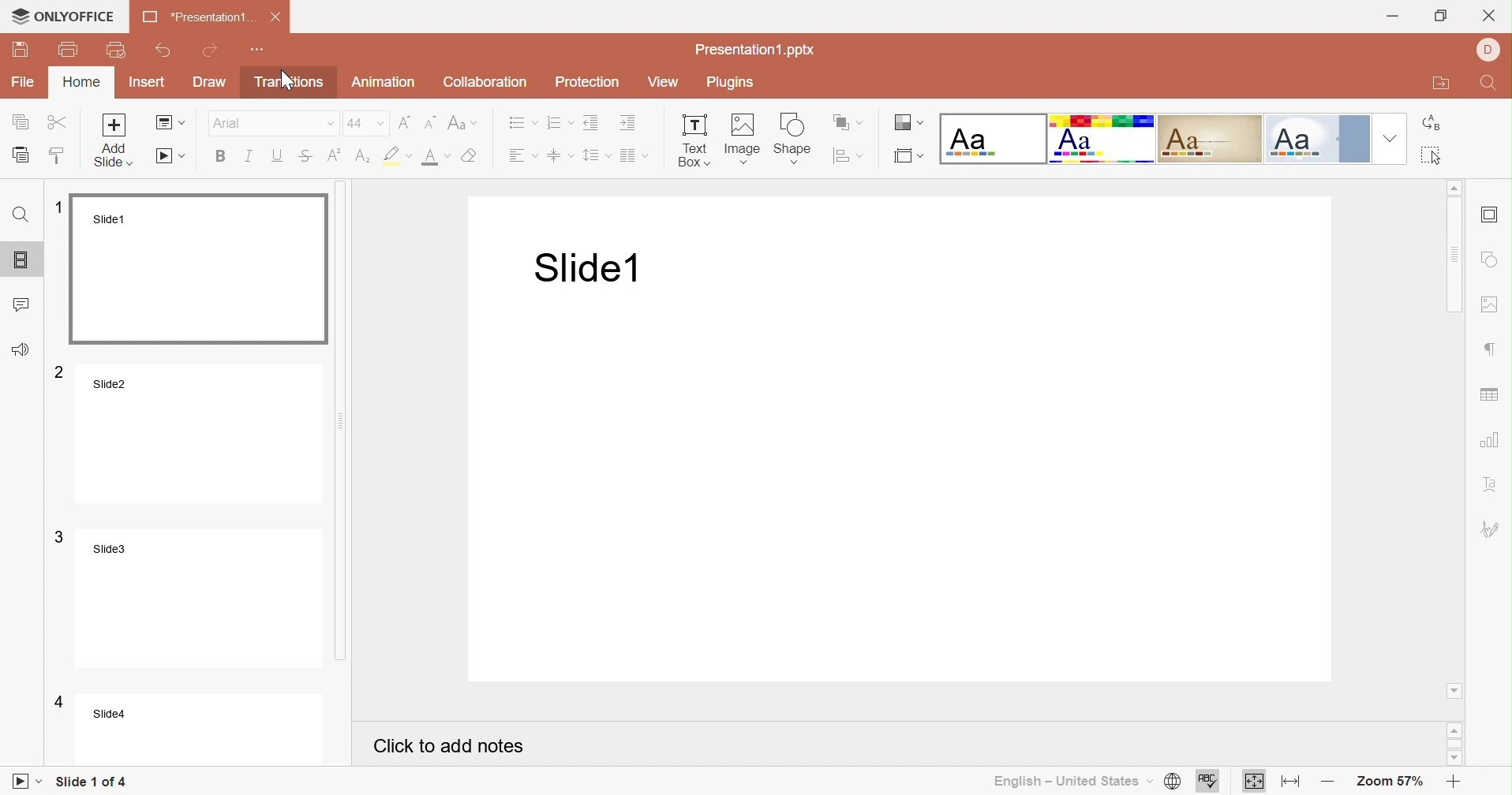 This screenshot has width=1512, height=795. What do you see at coordinates (757, 51) in the screenshot?
I see `Presentation1.pptx` at bounding box center [757, 51].